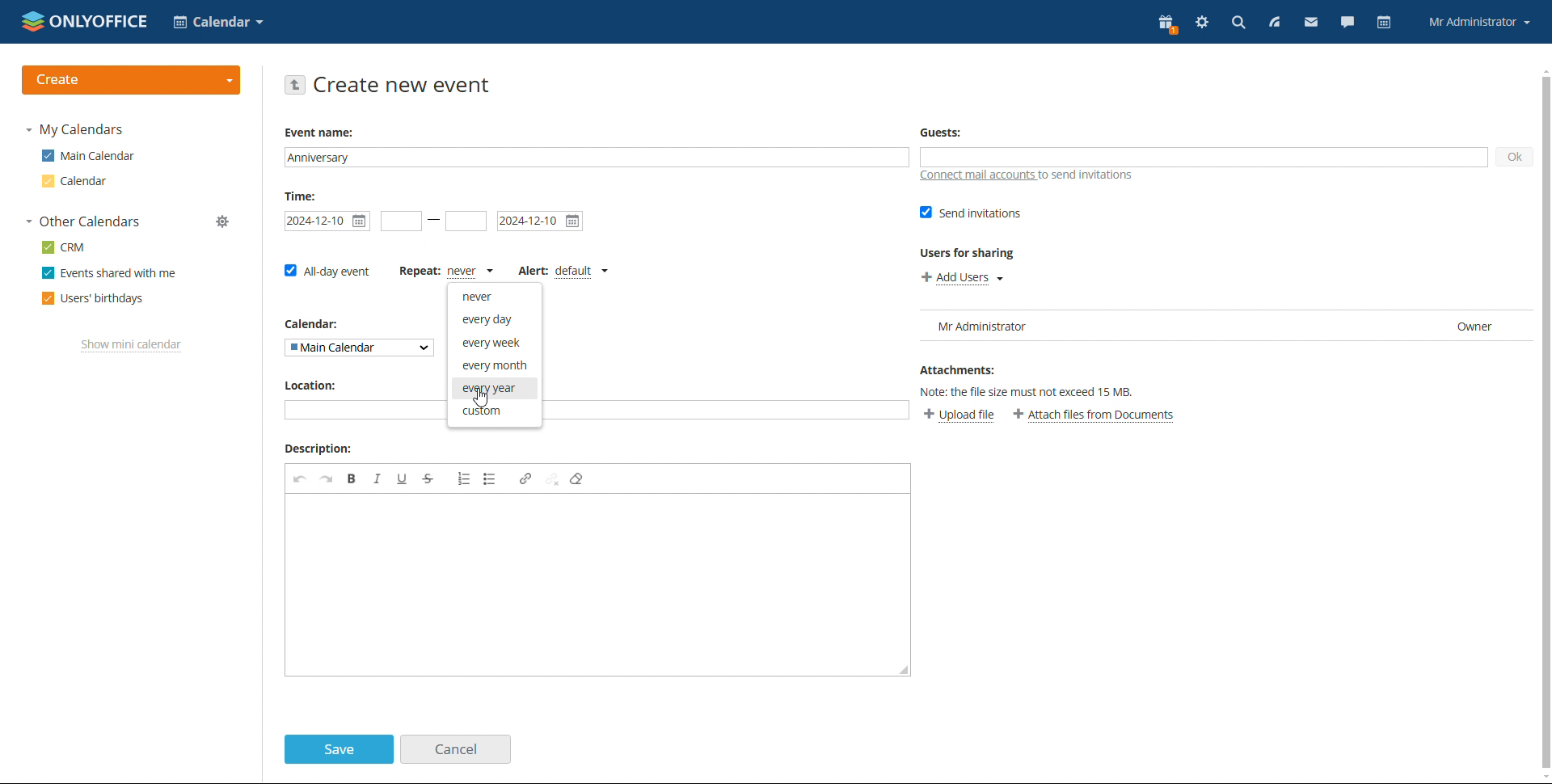 The image size is (1552, 784). Describe the element at coordinates (223, 221) in the screenshot. I see `manage` at that location.